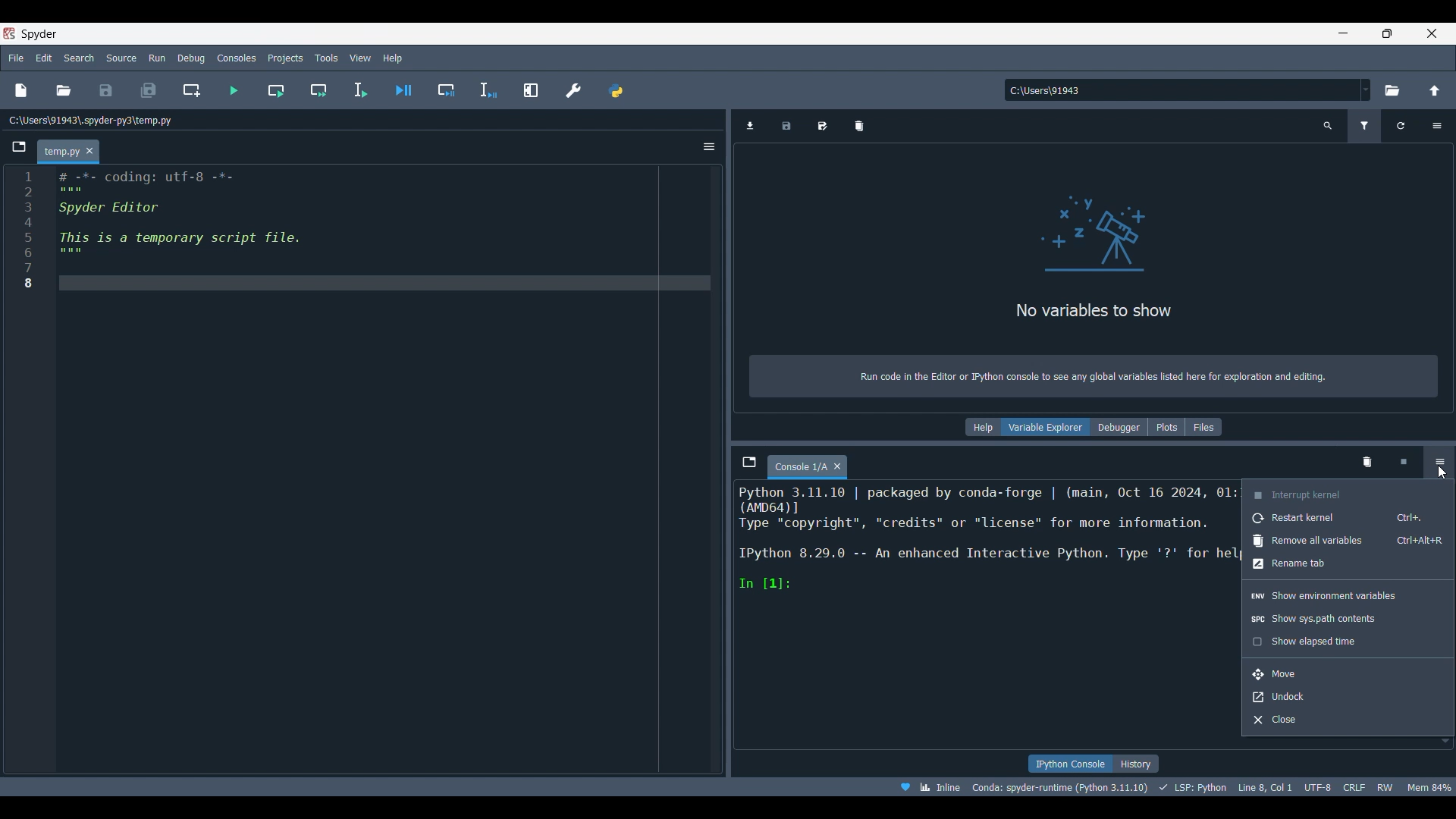 Image resolution: width=1456 pixels, height=819 pixels. What do you see at coordinates (192, 58) in the screenshot?
I see `Debug menu` at bounding box center [192, 58].